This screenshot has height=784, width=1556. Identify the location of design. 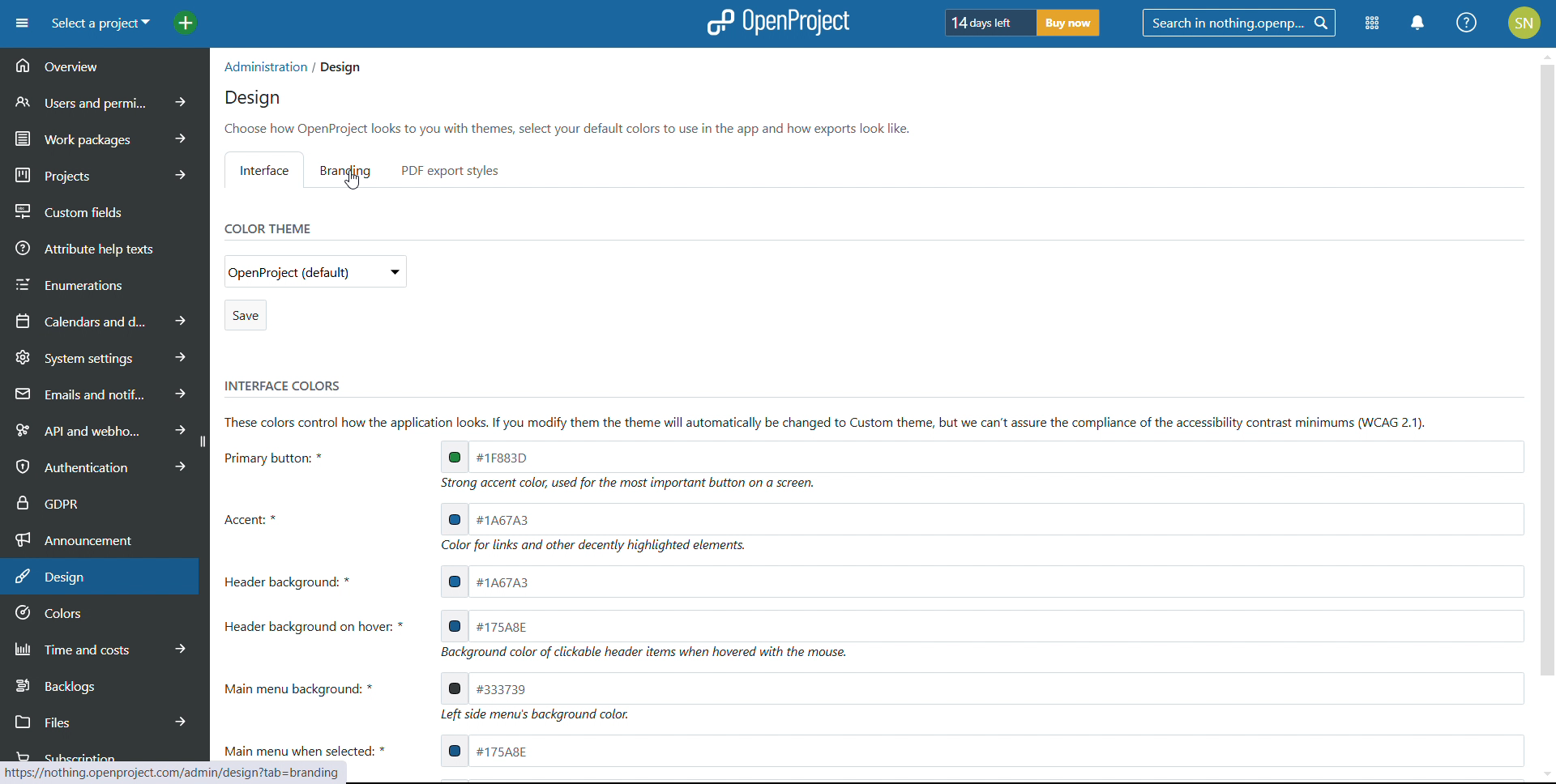
(253, 99).